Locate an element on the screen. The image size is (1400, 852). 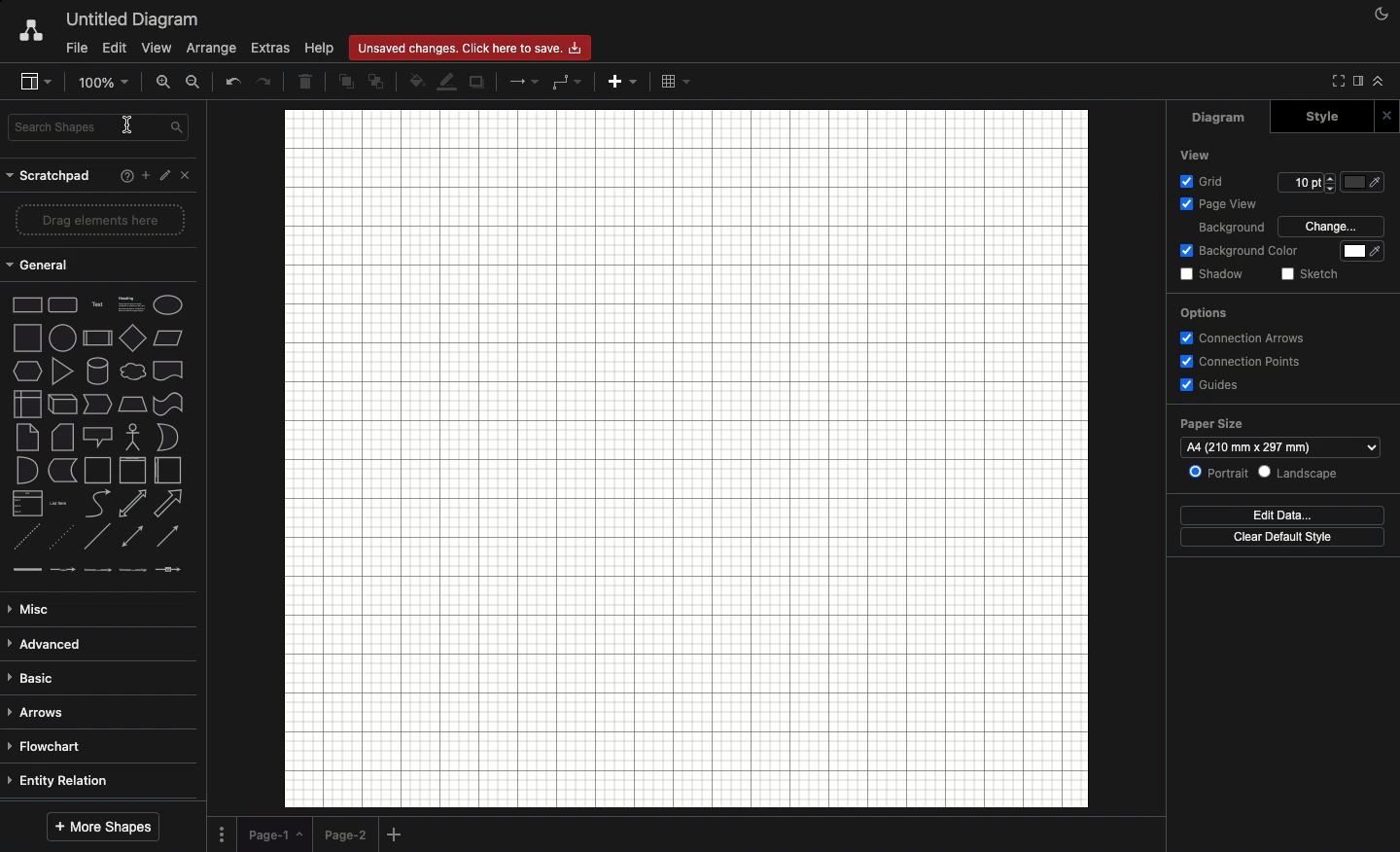
Sketch is located at coordinates (1309, 274).